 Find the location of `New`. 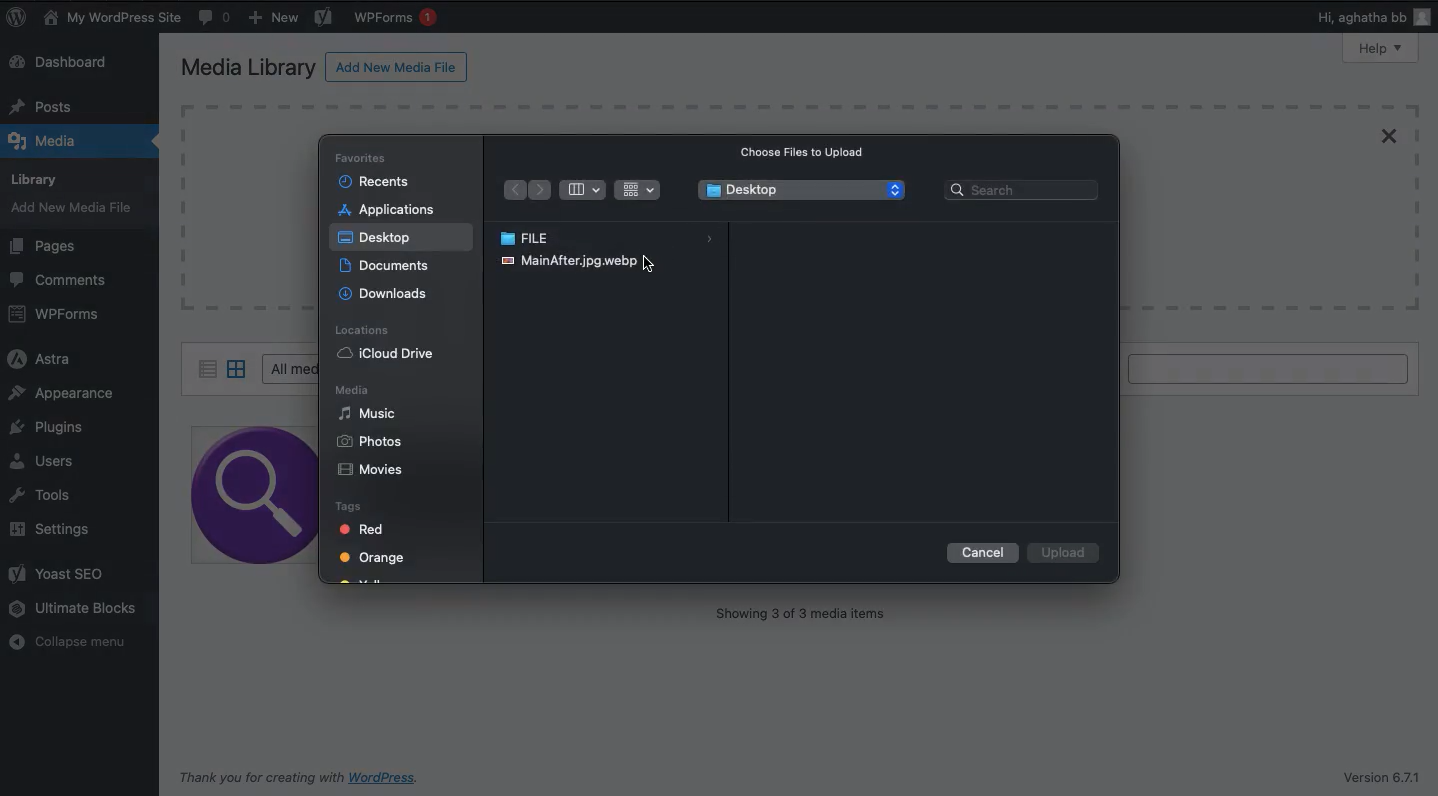

New is located at coordinates (275, 20).